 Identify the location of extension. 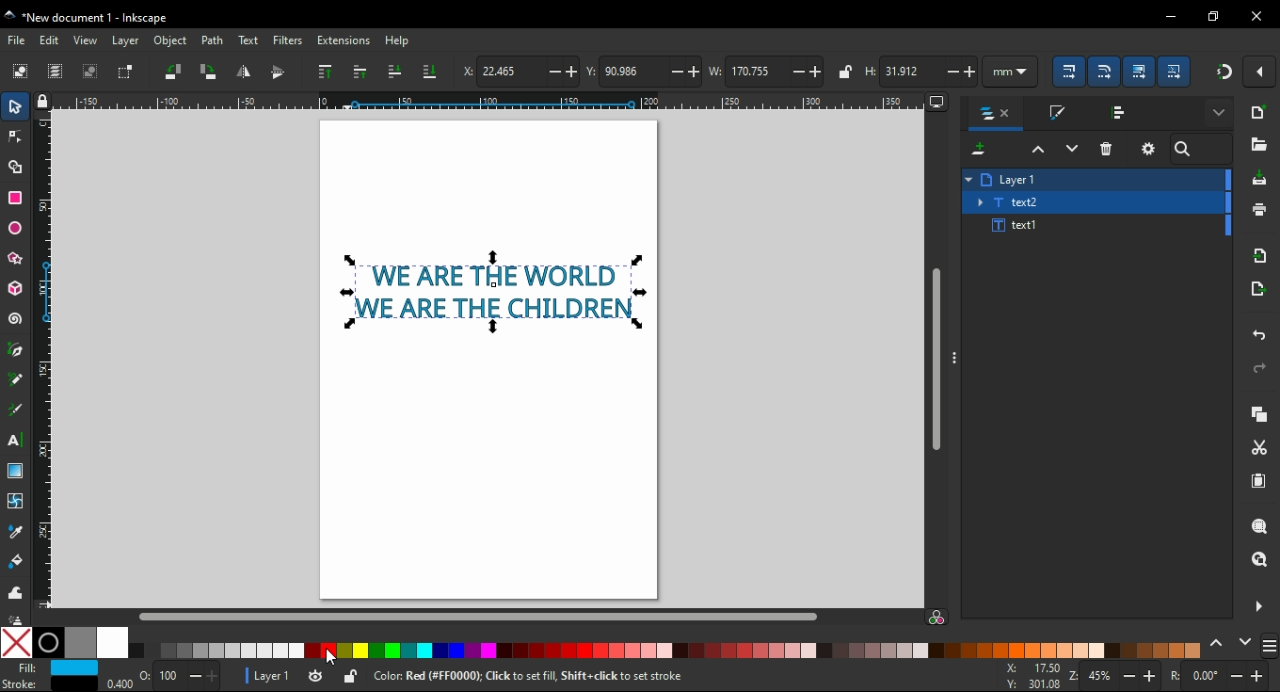
(343, 42).